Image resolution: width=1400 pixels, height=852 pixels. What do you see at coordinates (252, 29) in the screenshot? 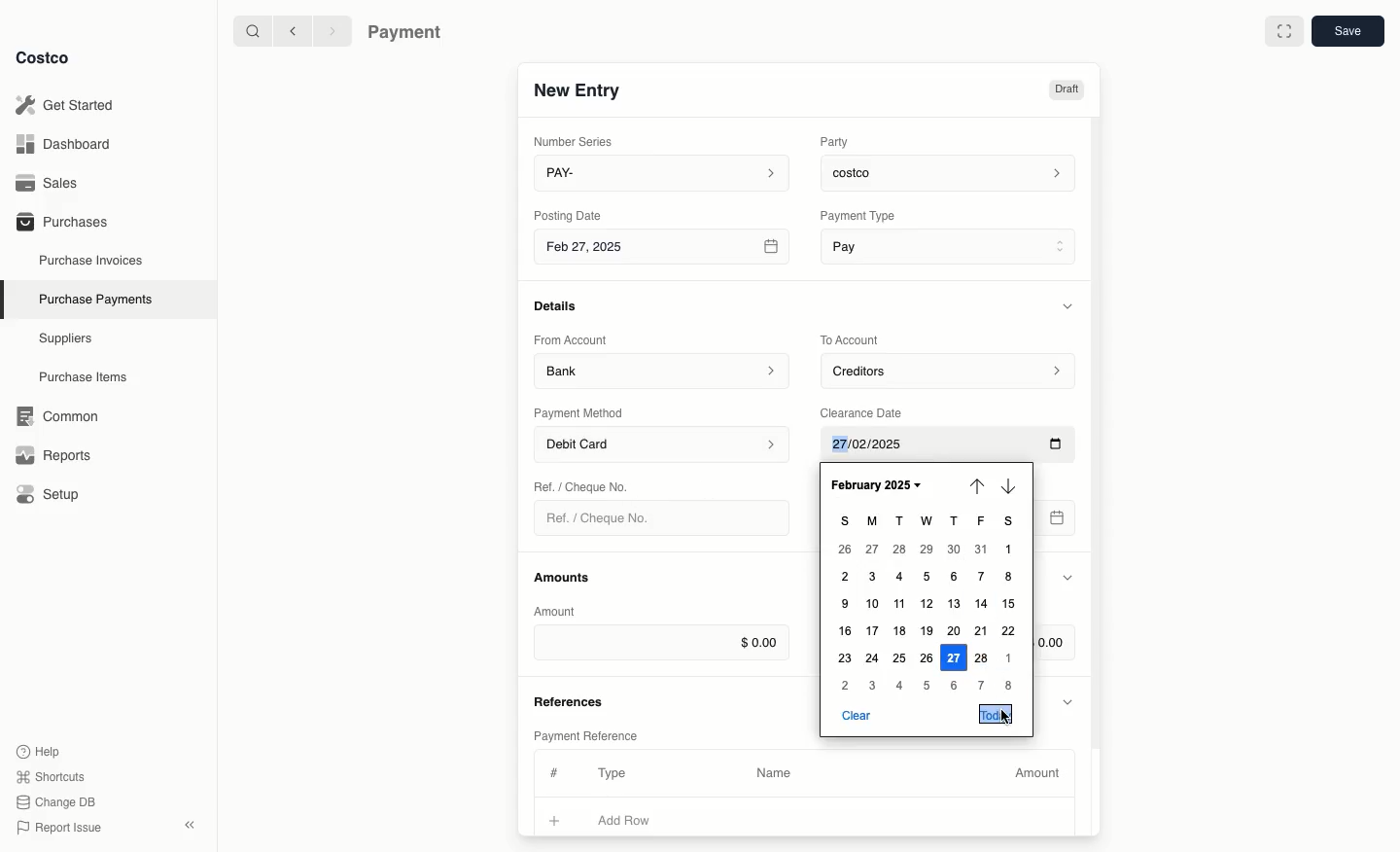
I see `Search` at bounding box center [252, 29].